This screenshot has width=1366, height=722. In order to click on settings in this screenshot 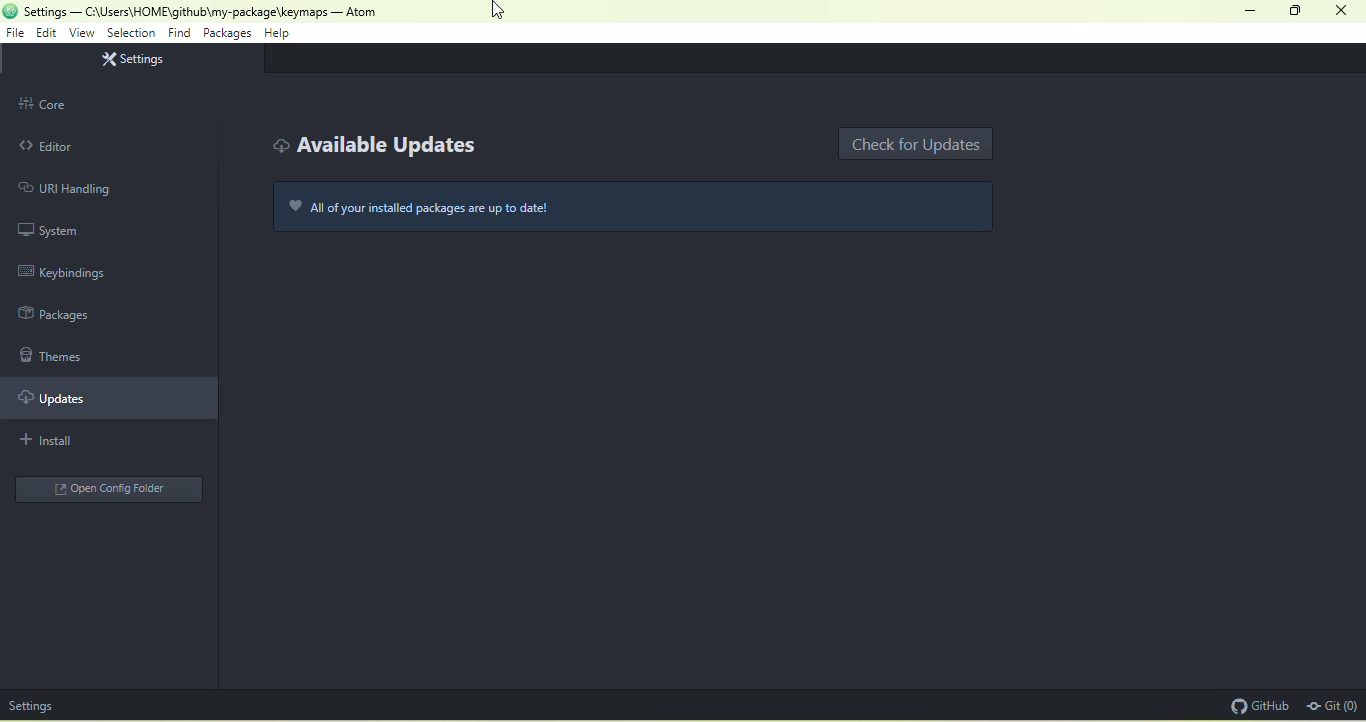, I will do `click(137, 60)`.